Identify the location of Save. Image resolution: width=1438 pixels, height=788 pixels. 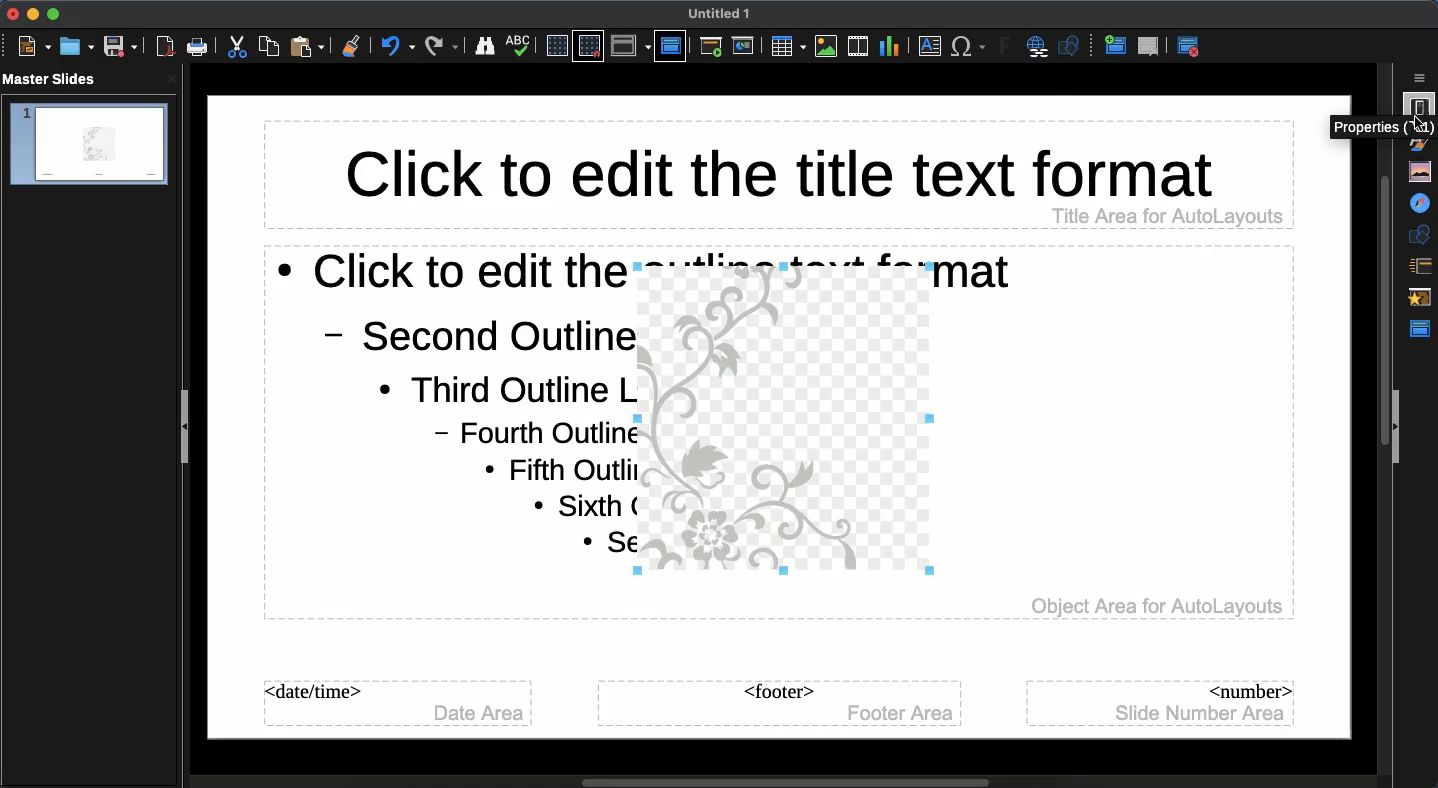
(119, 47).